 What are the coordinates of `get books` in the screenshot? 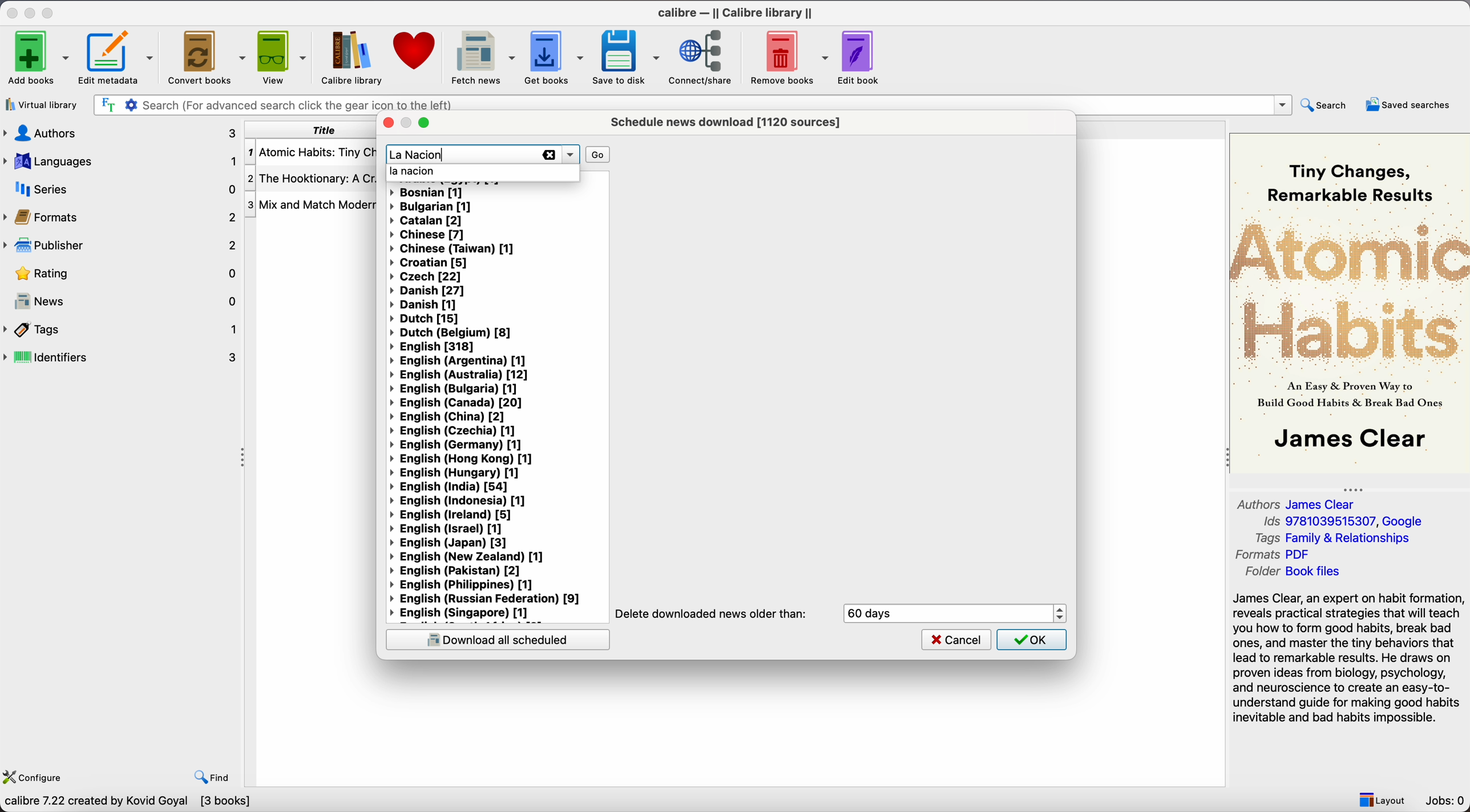 It's located at (554, 58).